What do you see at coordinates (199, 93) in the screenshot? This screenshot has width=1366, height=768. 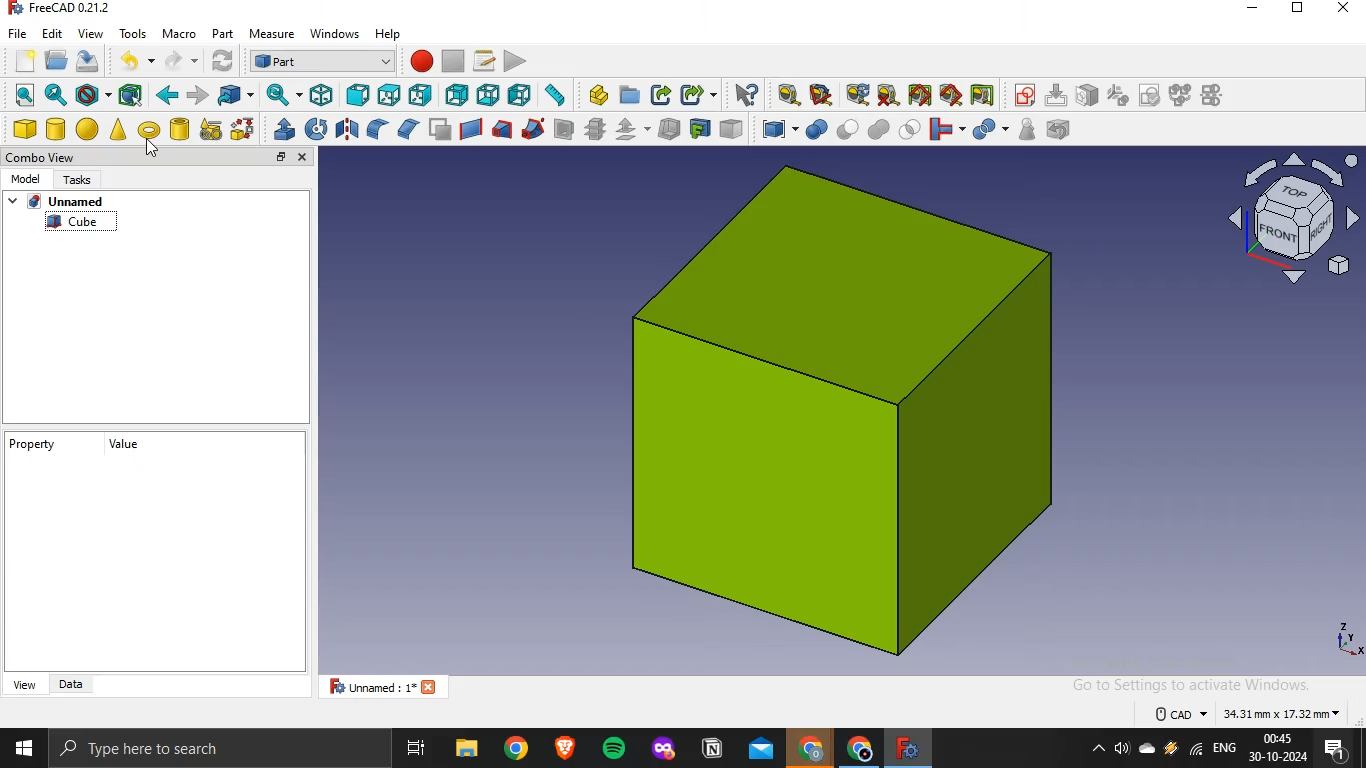 I see `forward` at bounding box center [199, 93].